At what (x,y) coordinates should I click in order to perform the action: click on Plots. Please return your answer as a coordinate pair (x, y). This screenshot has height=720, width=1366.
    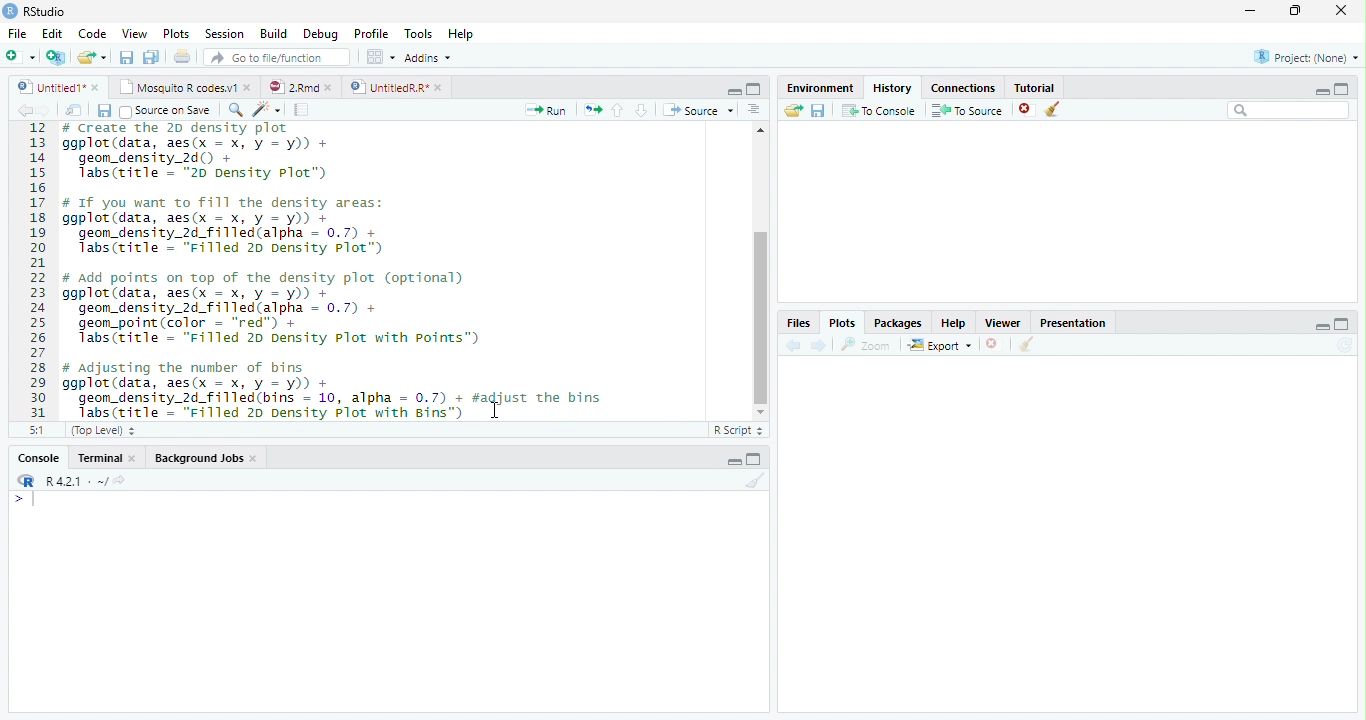
    Looking at the image, I should click on (841, 322).